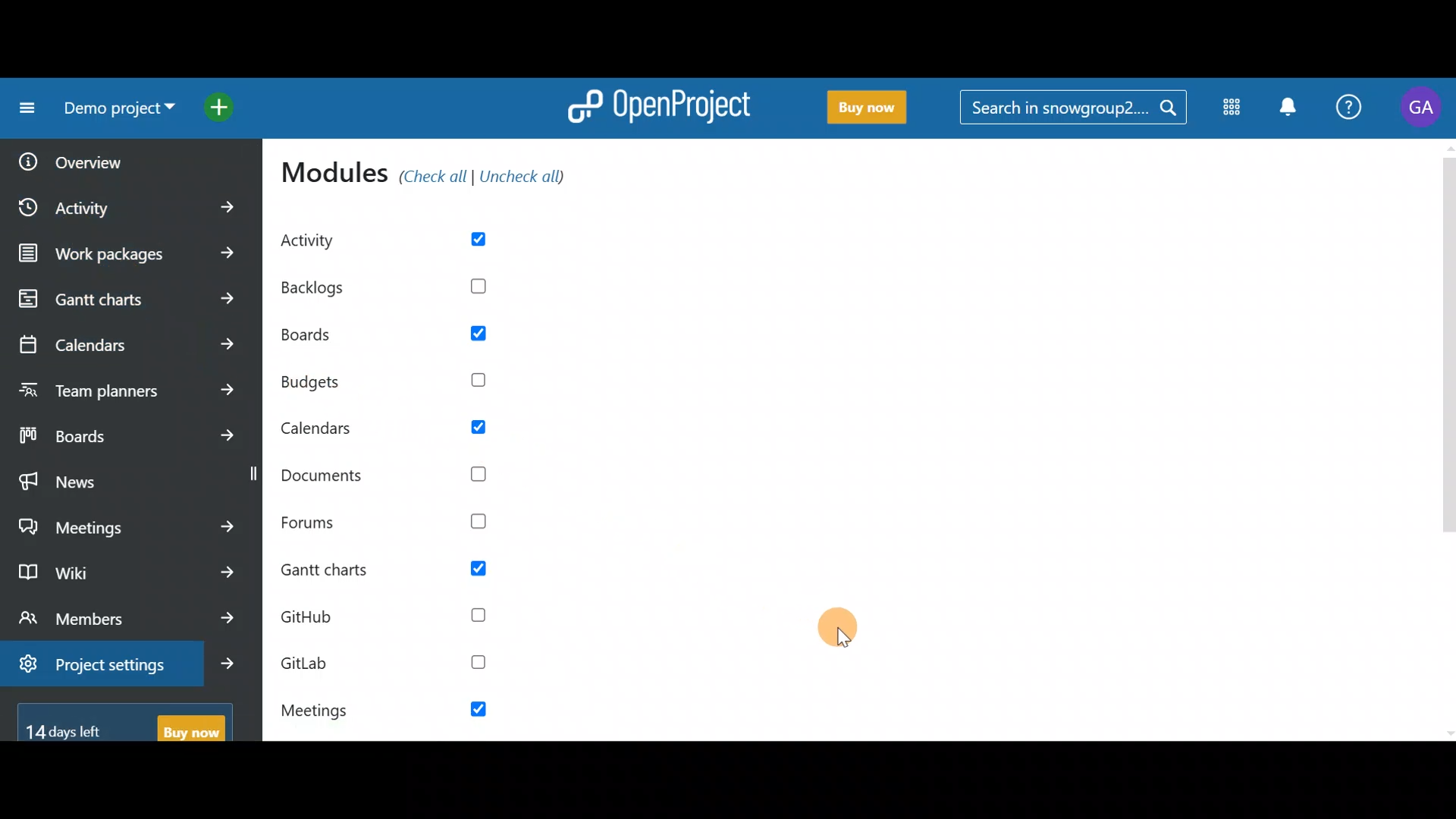 This screenshot has height=819, width=1456. What do you see at coordinates (115, 108) in the screenshot?
I see `Project name` at bounding box center [115, 108].